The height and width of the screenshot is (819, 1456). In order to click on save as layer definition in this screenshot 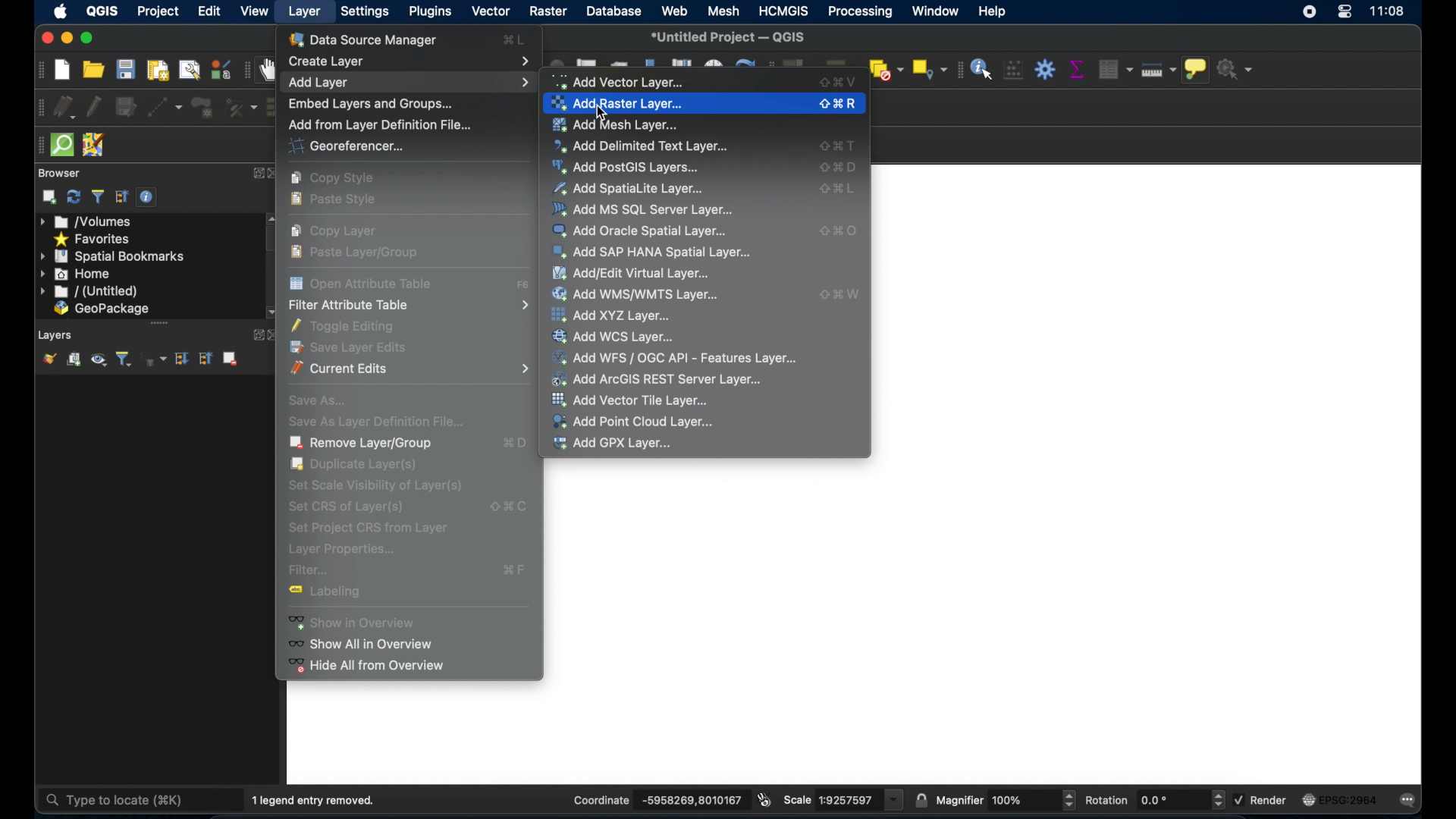, I will do `click(372, 420)`.